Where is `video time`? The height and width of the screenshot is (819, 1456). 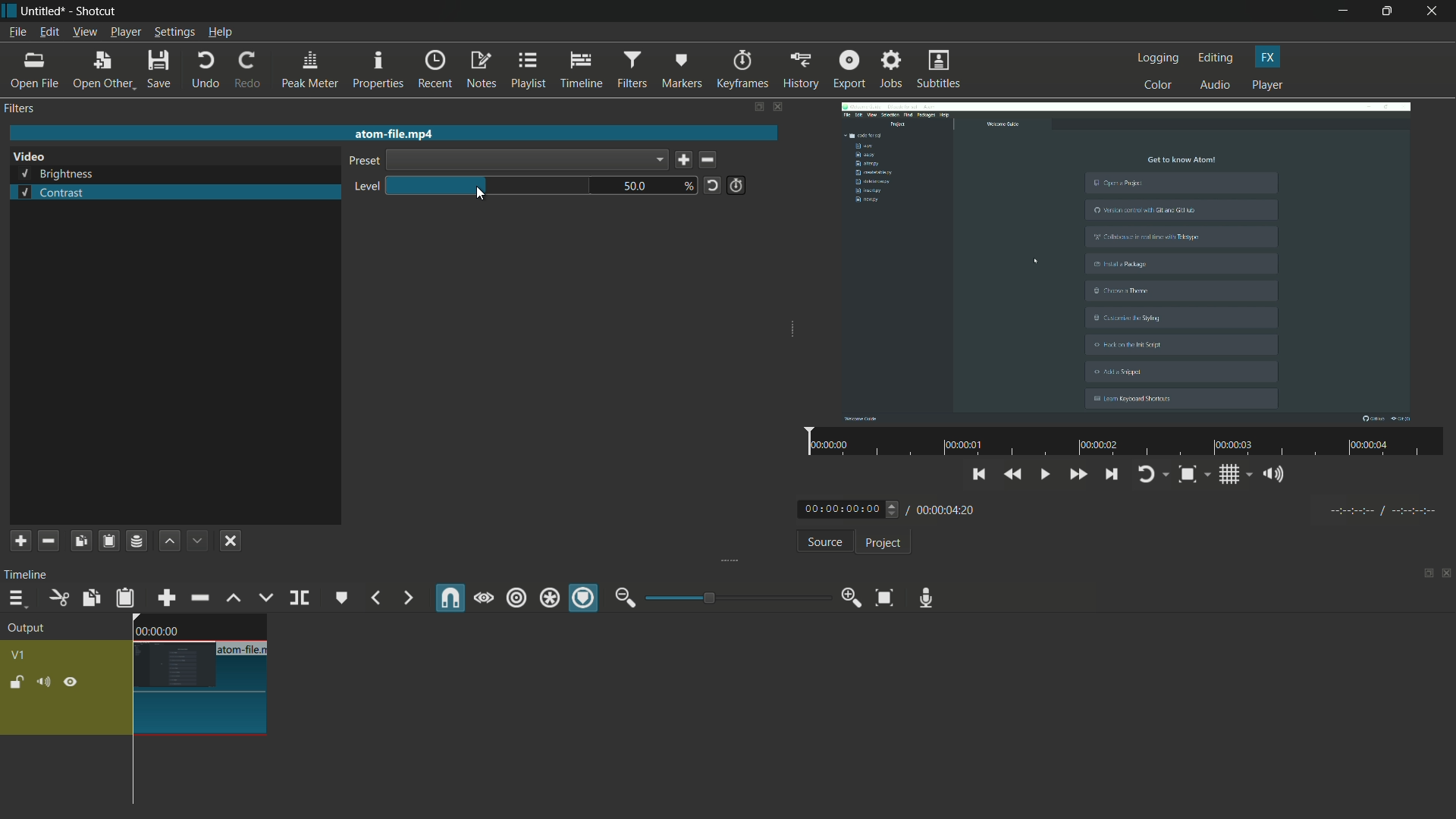
video time is located at coordinates (1122, 443).